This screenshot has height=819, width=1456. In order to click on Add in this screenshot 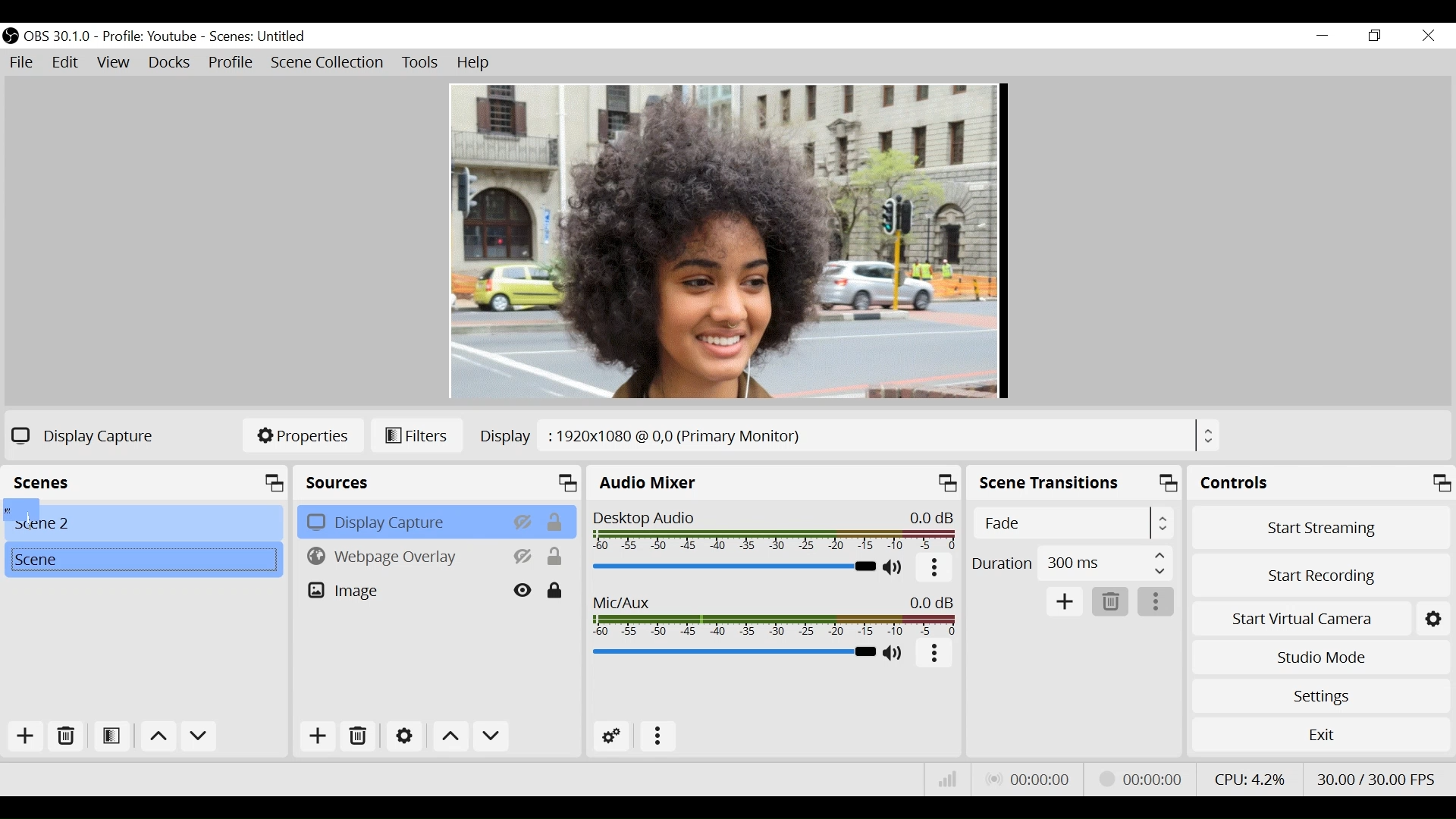, I will do `click(319, 735)`.